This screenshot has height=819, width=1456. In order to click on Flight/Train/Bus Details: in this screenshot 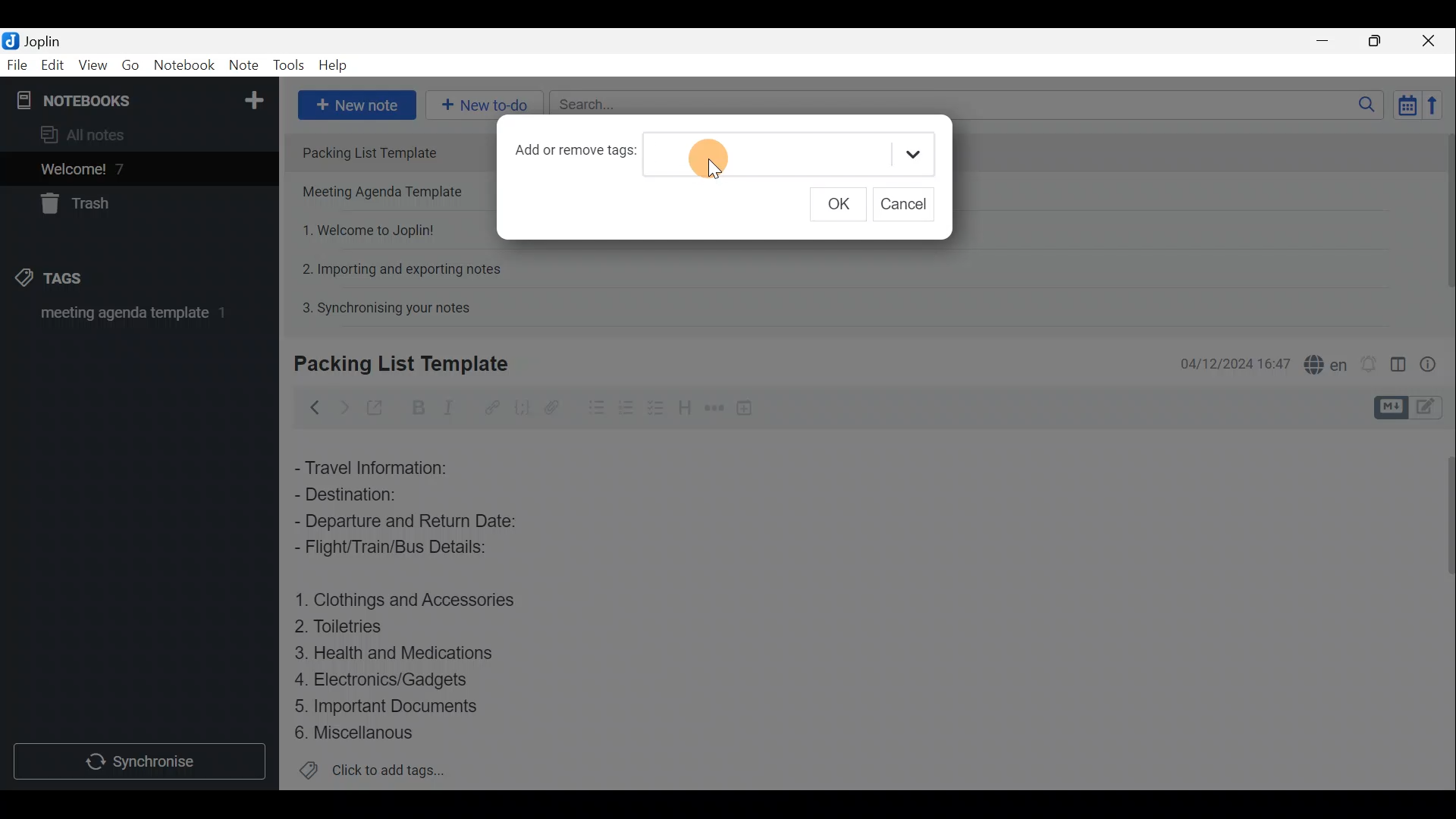, I will do `click(406, 551)`.